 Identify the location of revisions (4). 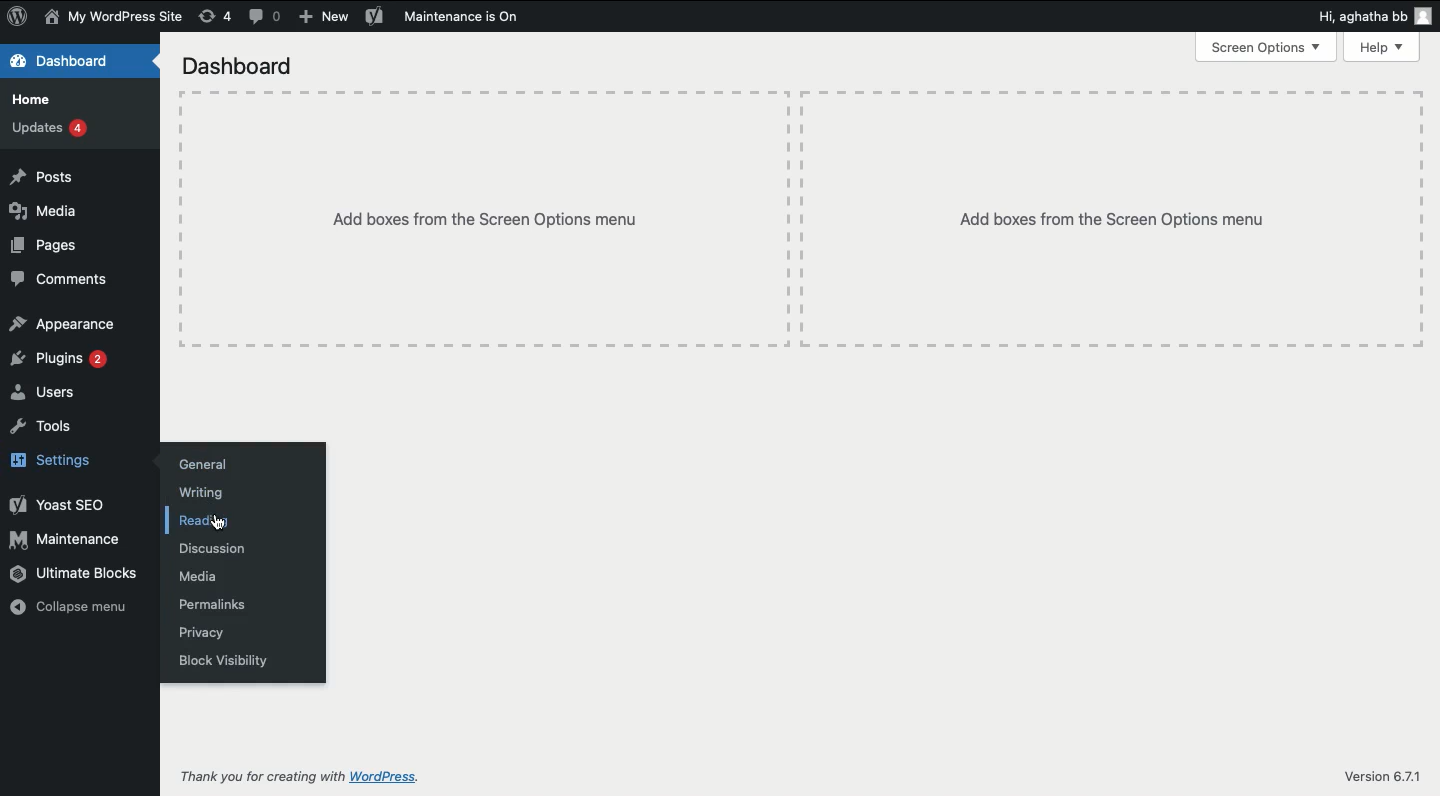
(217, 16).